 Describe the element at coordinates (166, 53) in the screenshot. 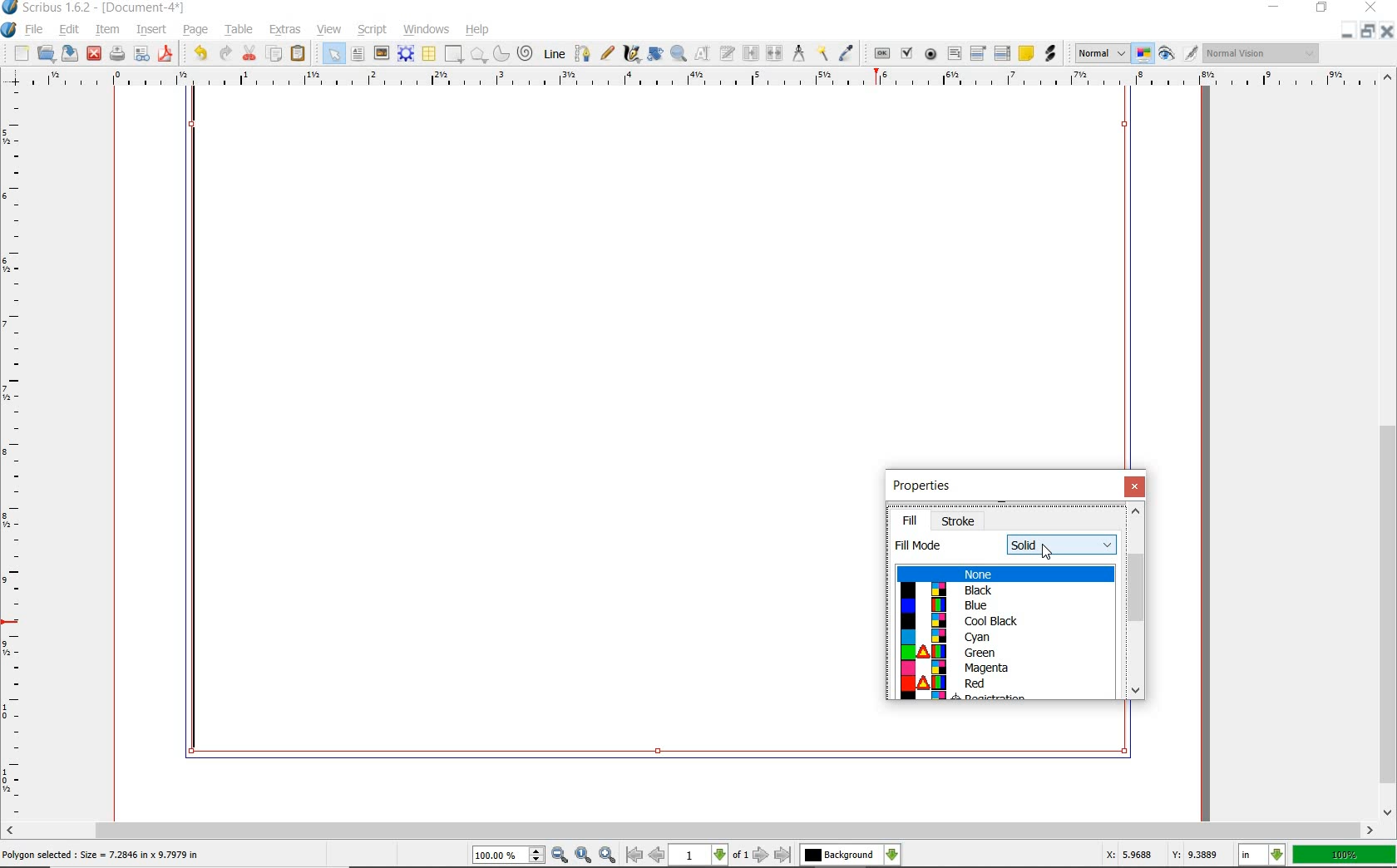

I see `save as pdf` at that location.